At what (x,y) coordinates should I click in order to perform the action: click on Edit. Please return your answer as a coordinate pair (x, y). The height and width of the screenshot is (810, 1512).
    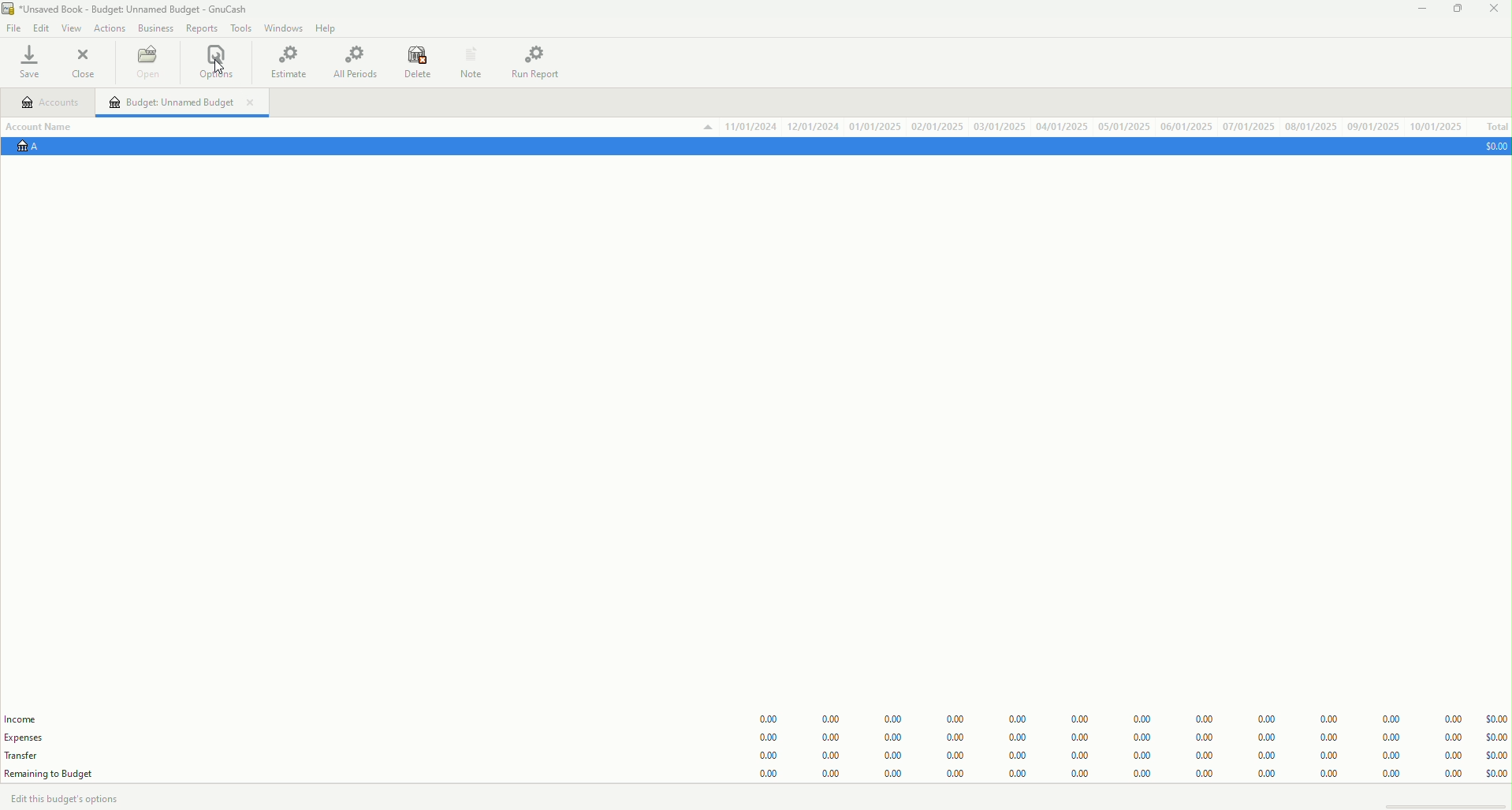
    Looking at the image, I should click on (41, 28).